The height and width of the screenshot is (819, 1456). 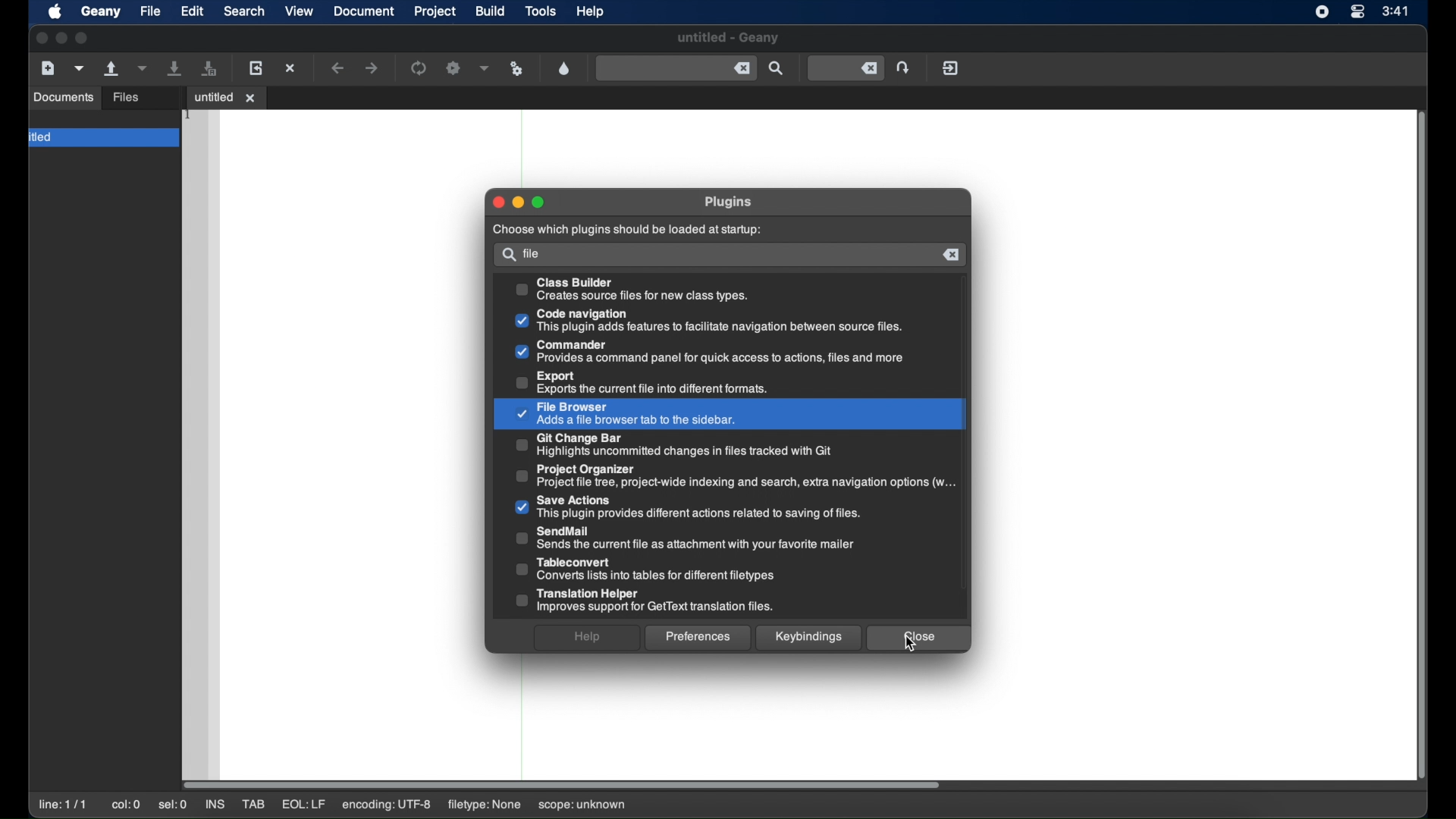 What do you see at coordinates (113, 69) in the screenshot?
I see `open an existing file` at bounding box center [113, 69].